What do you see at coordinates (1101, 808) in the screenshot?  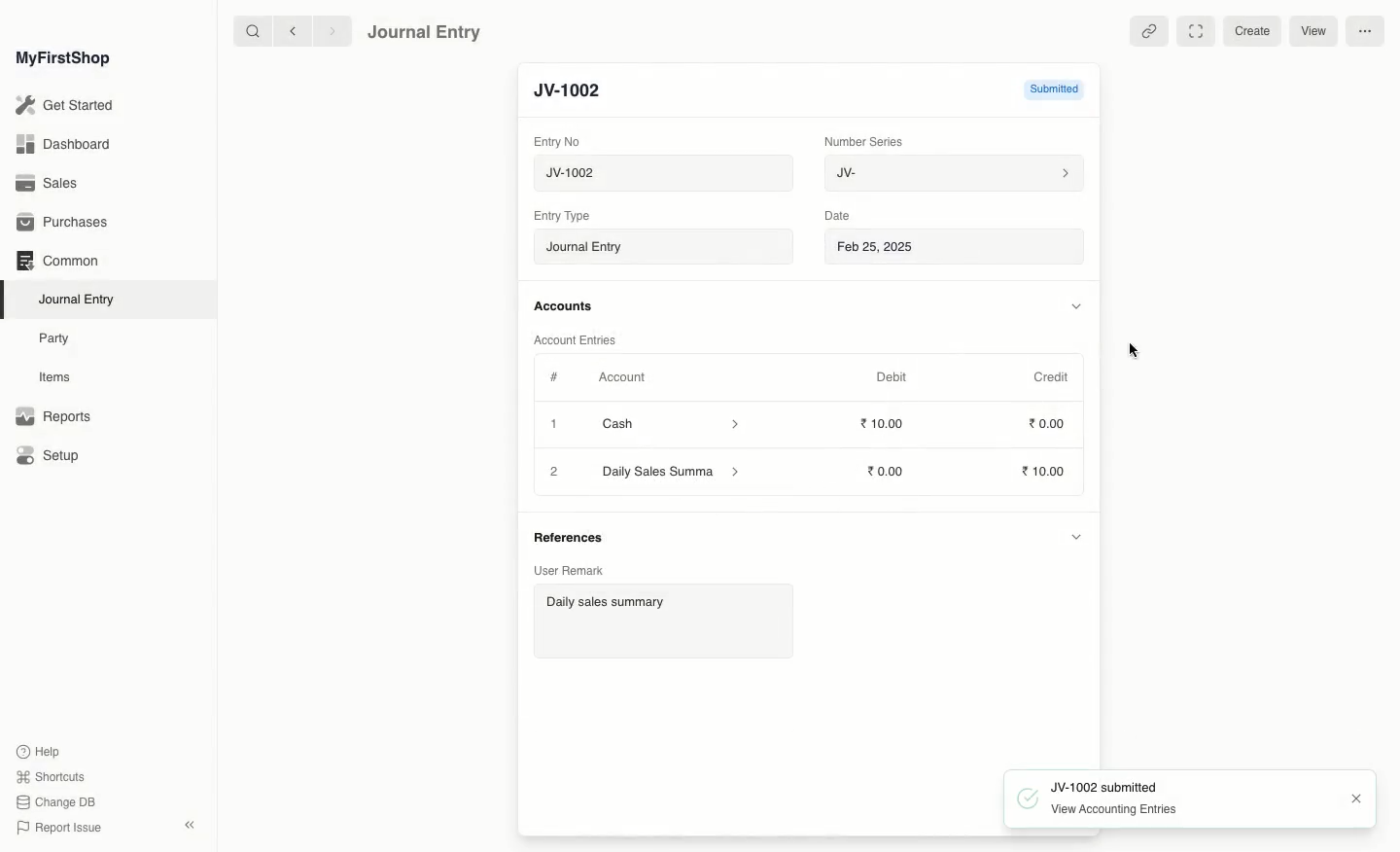 I see `View Accounting Entries` at bounding box center [1101, 808].